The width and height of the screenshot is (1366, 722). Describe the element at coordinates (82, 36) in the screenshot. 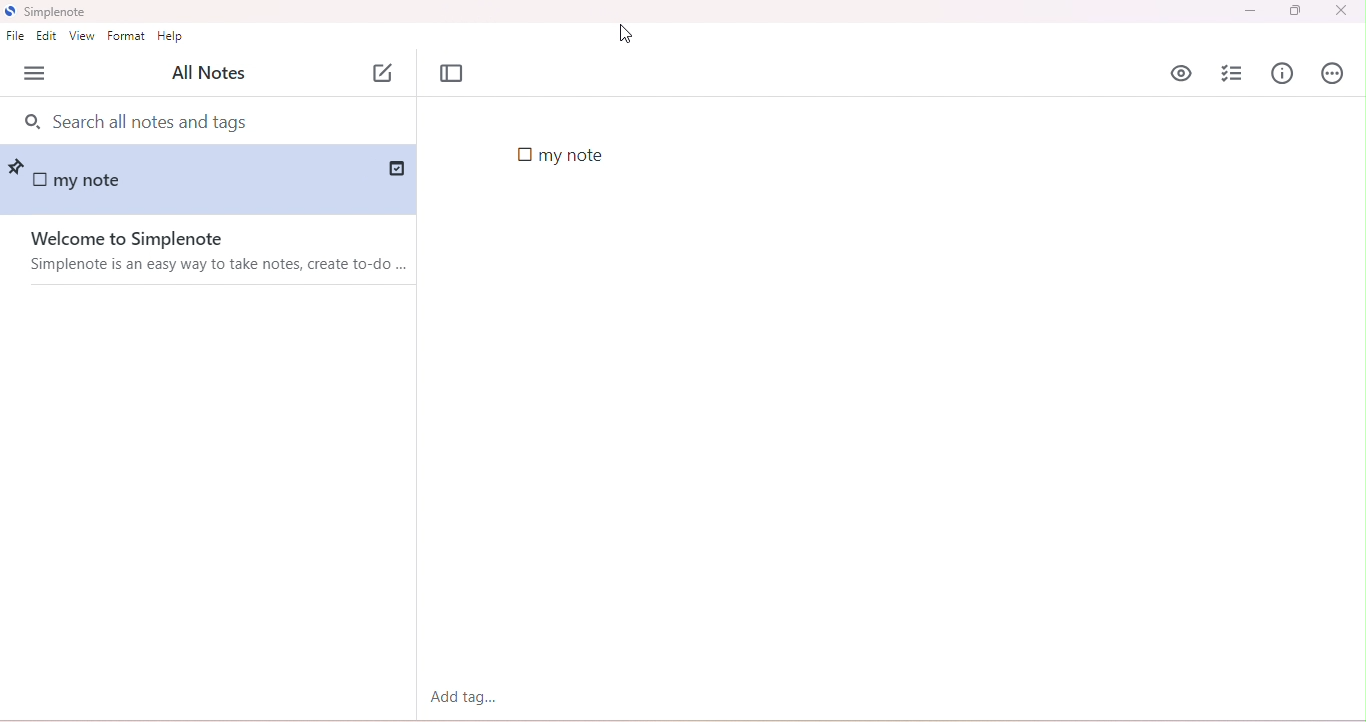

I see `view` at that location.